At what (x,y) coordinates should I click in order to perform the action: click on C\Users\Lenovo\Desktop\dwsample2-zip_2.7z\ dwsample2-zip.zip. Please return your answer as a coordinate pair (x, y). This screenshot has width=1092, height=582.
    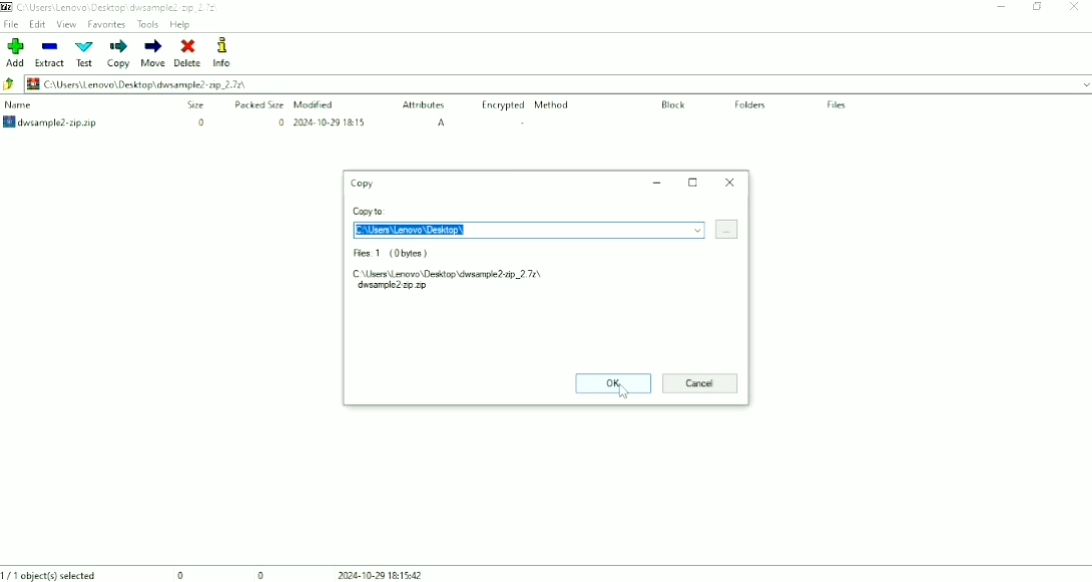
    Looking at the image, I should click on (469, 279).